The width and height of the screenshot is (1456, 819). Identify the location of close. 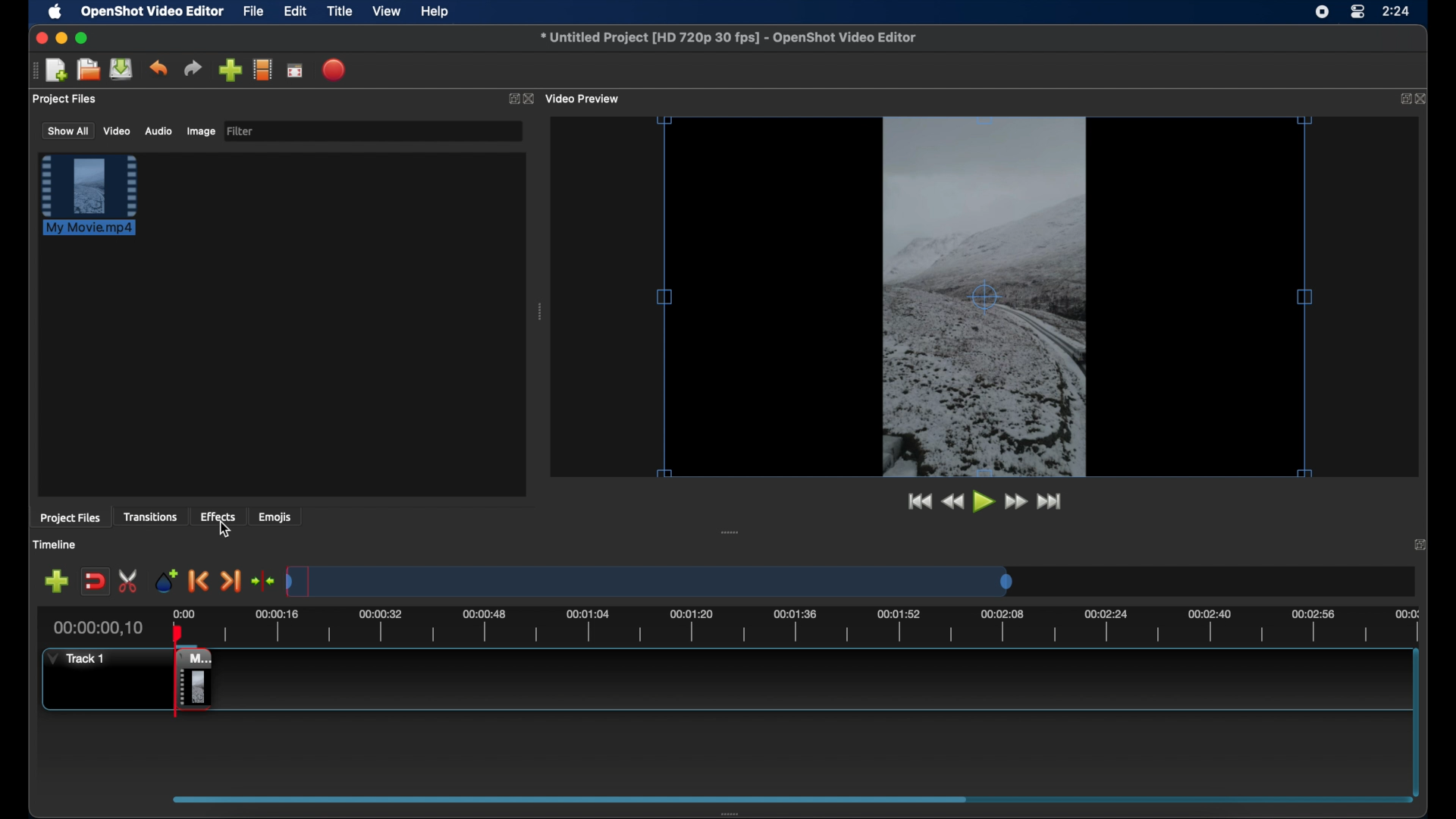
(1420, 543).